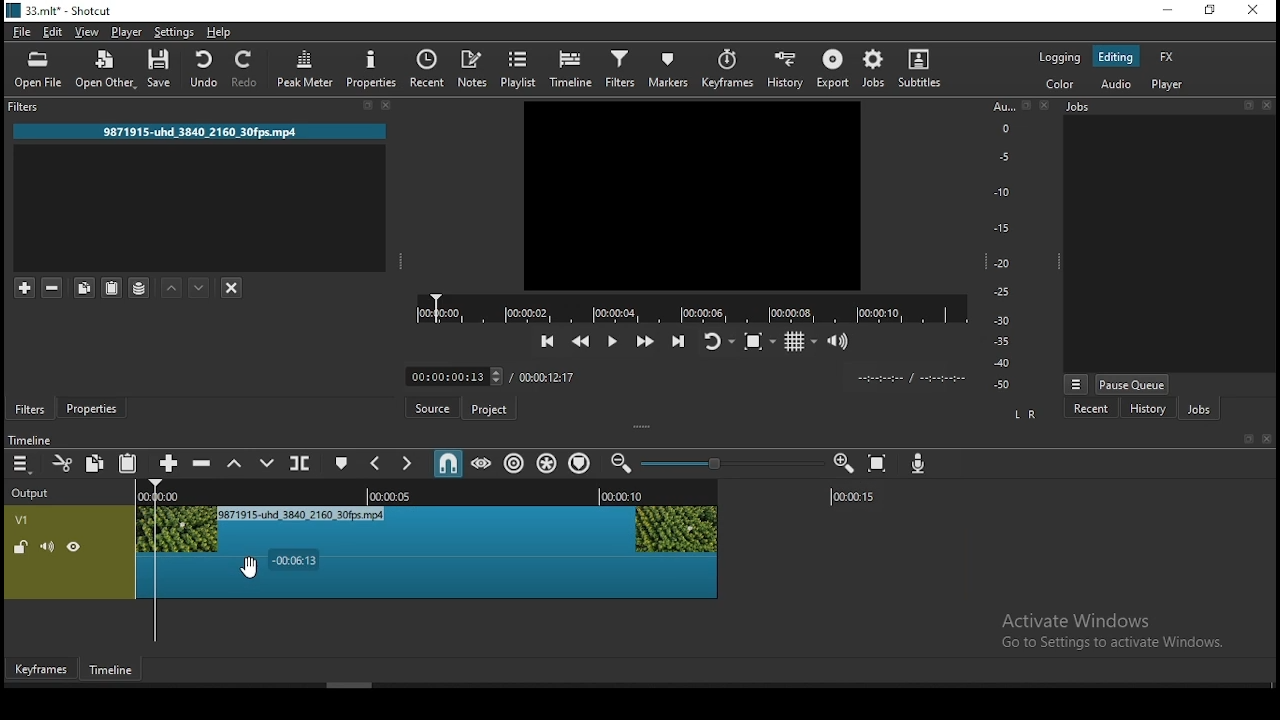  Describe the element at coordinates (30, 409) in the screenshot. I see `filters` at that location.